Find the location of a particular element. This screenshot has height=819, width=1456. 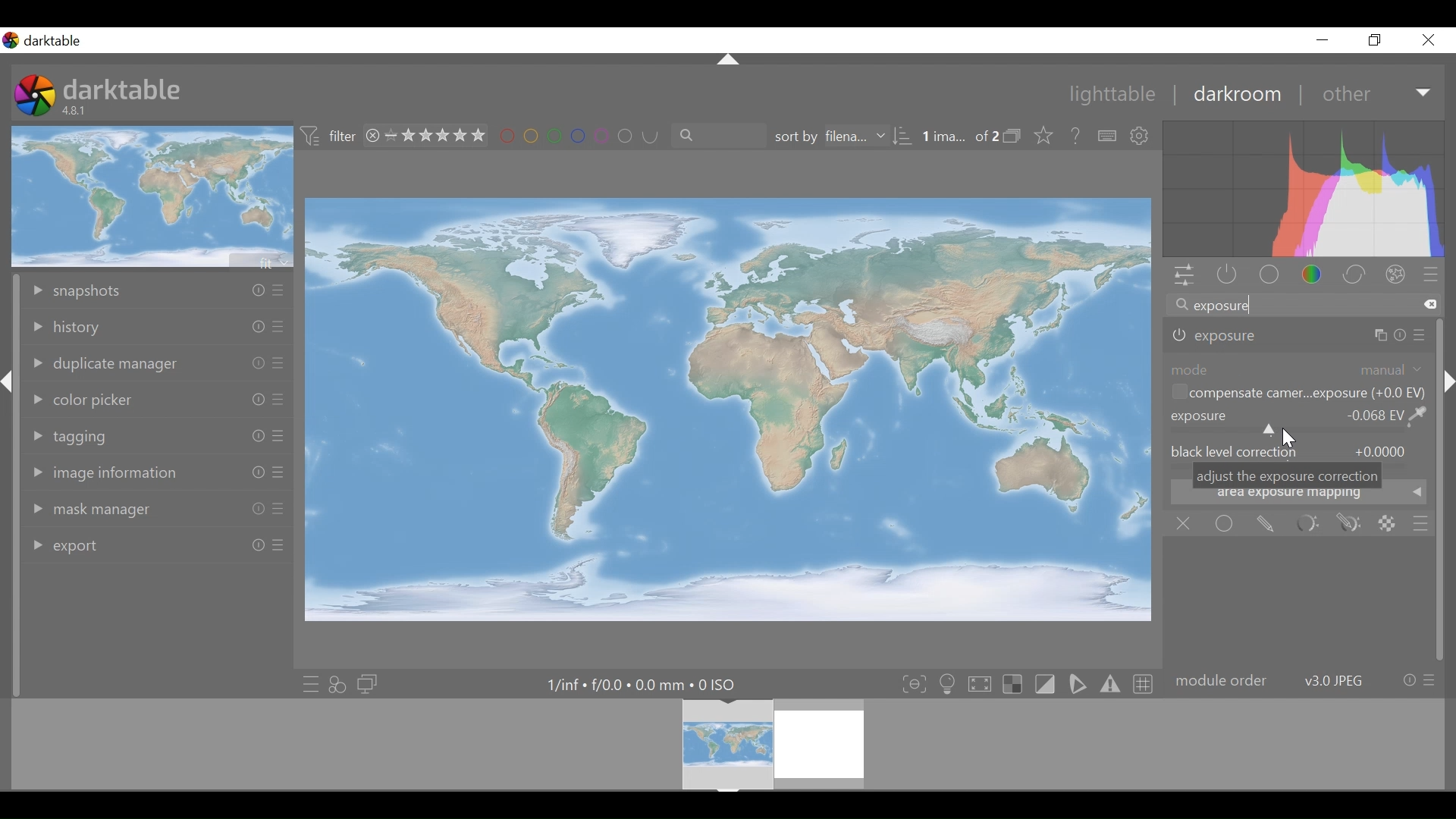

toggle focus-peaking mode is located at coordinates (912, 684).